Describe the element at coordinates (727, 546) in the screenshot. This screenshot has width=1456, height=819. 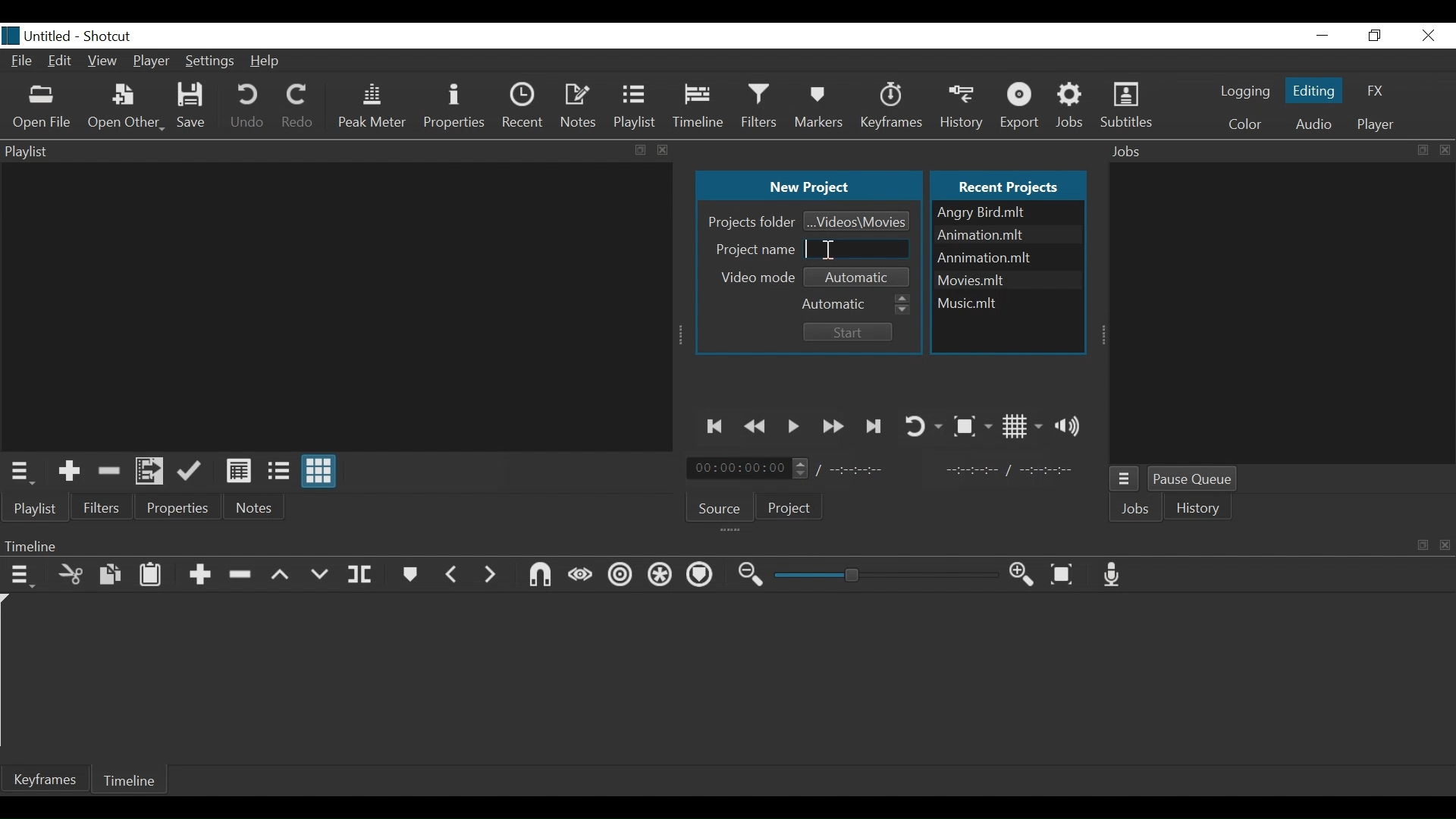
I see `Timeline Panel` at that location.